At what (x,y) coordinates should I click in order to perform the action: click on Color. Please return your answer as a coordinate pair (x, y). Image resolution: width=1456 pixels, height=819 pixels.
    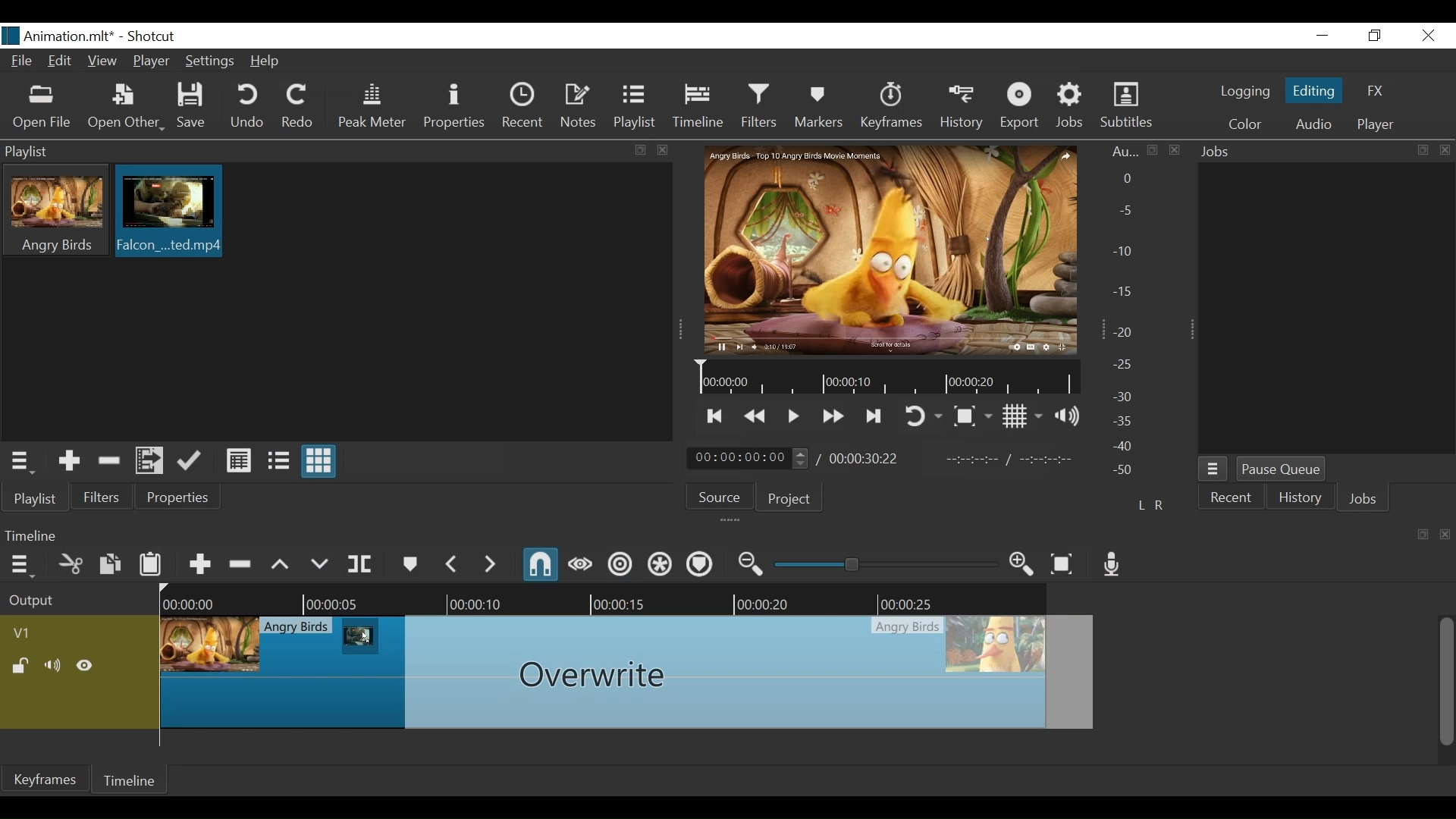
    Looking at the image, I should click on (1248, 124).